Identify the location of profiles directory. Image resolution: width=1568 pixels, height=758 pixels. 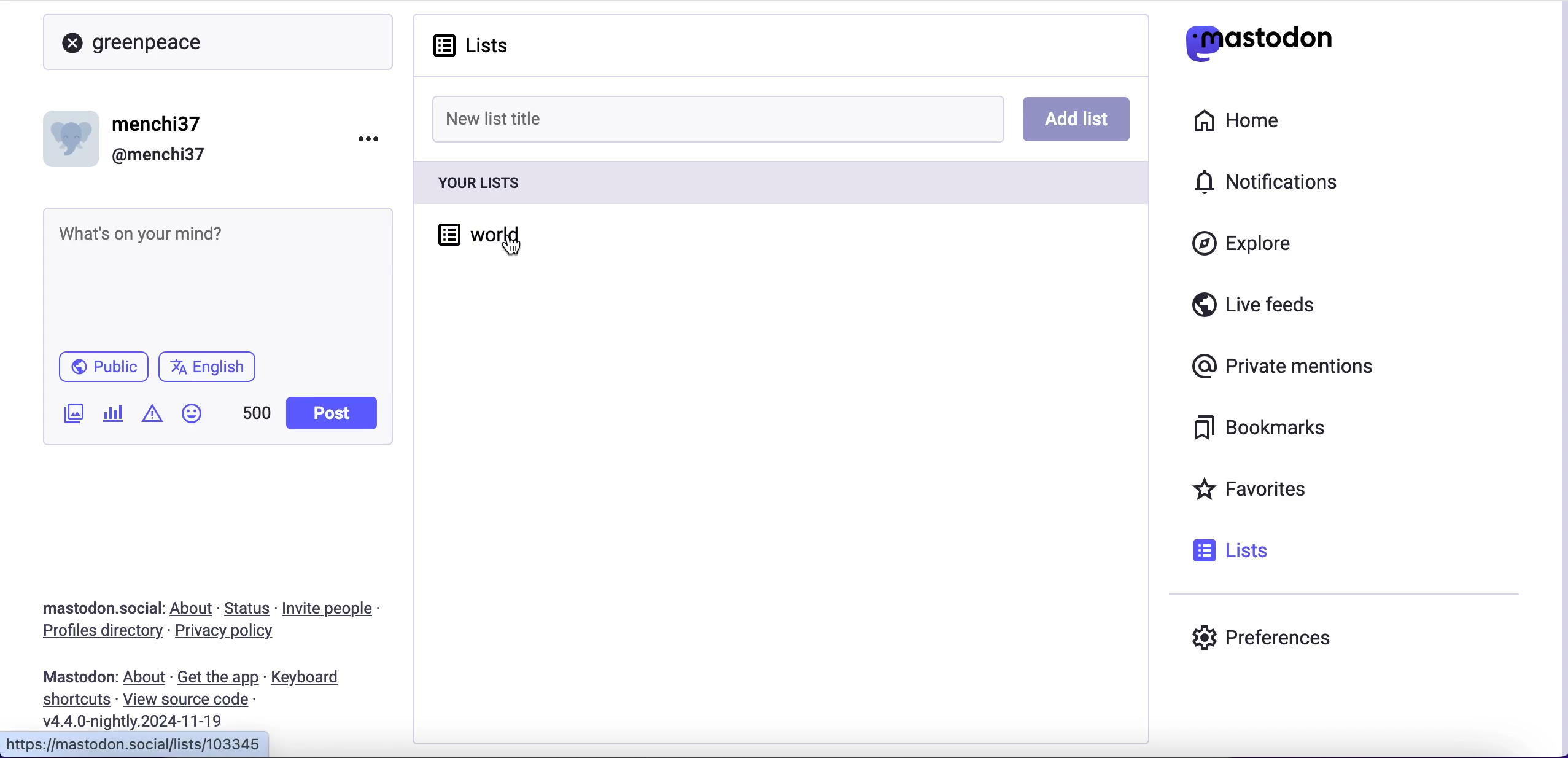
(95, 633).